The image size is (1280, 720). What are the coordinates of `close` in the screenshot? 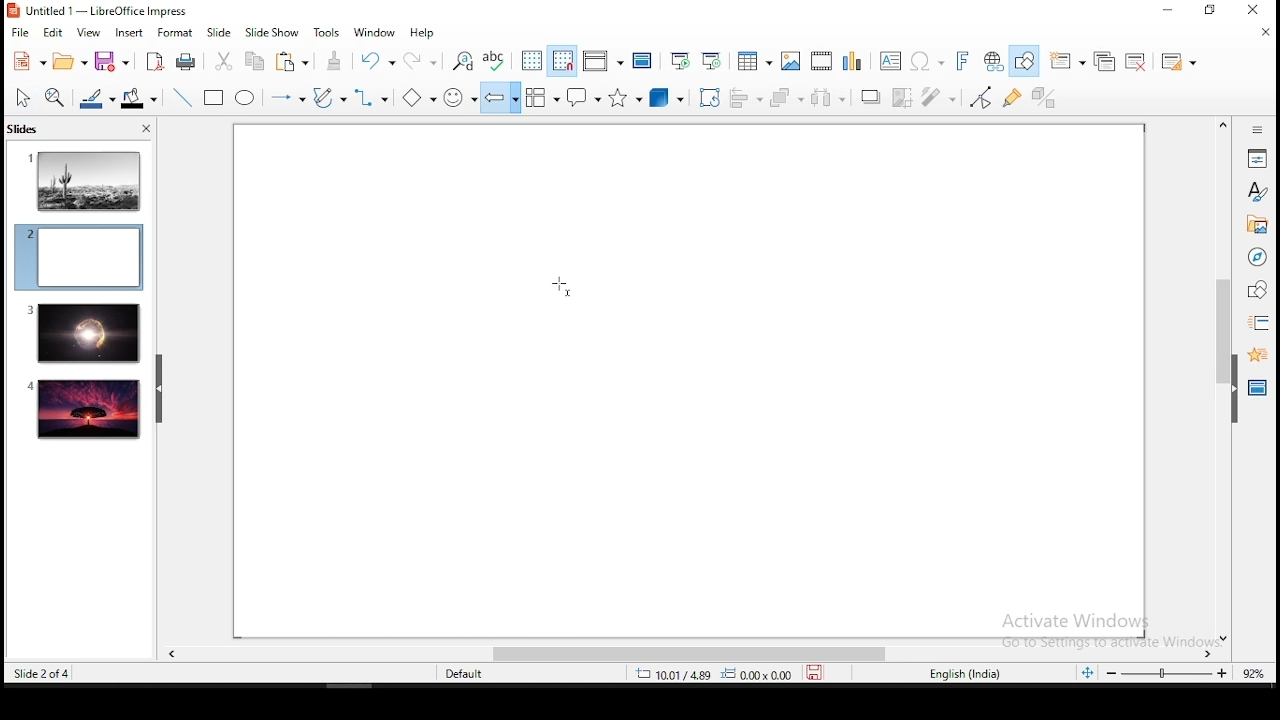 It's located at (1261, 34).